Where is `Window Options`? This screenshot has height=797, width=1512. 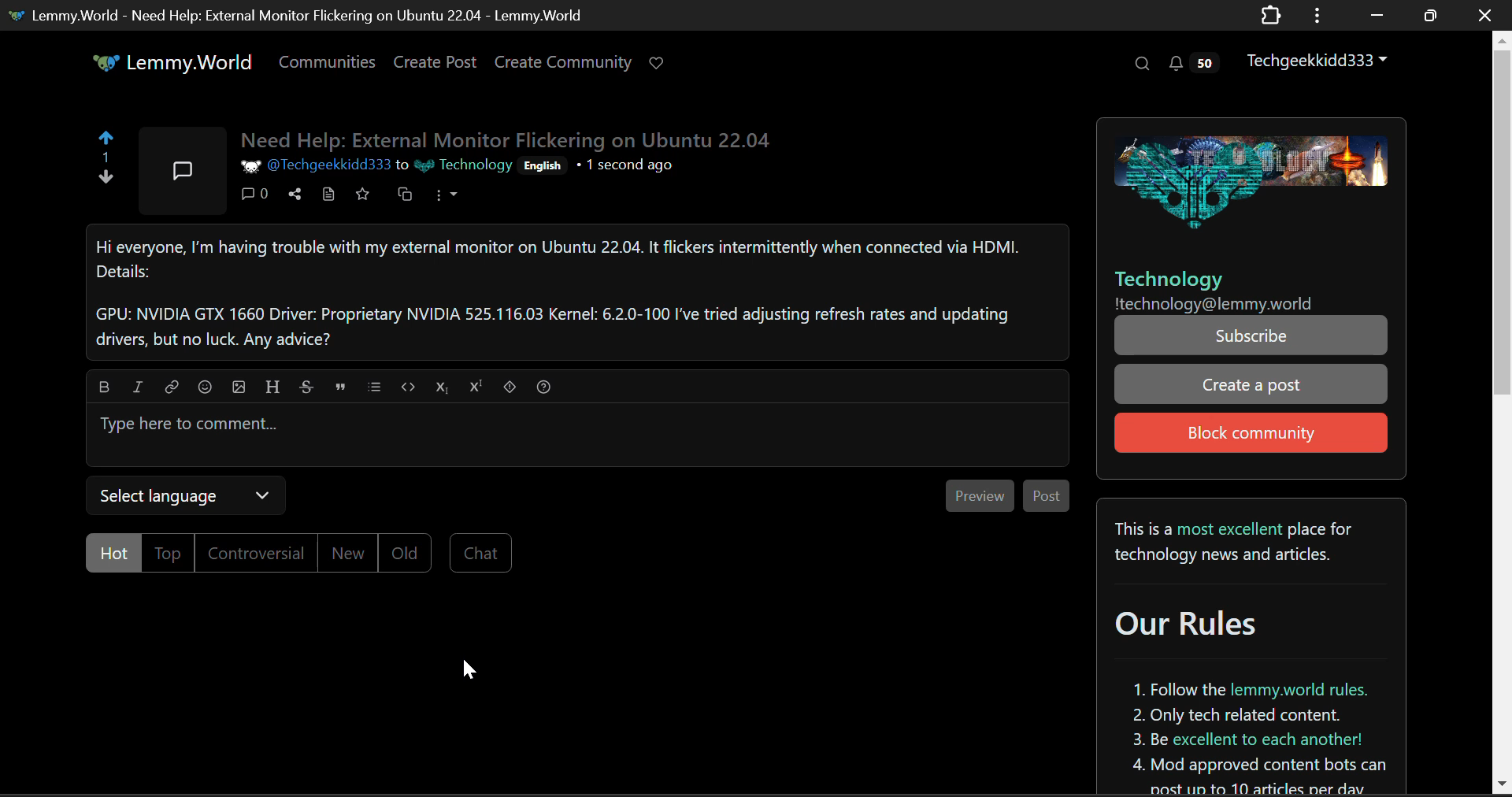 Window Options is located at coordinates (1319, 16).